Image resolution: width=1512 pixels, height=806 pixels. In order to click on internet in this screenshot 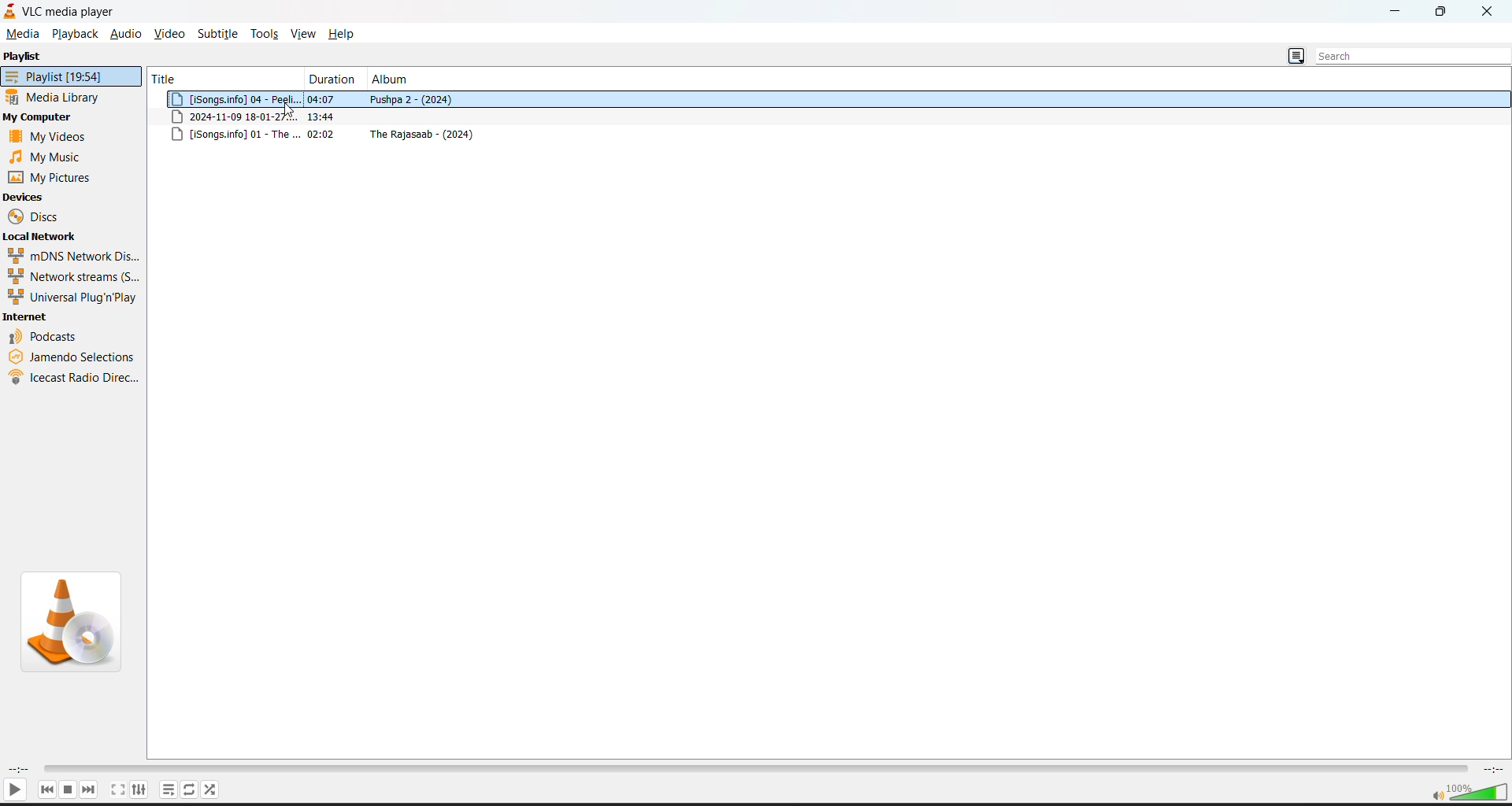, I will do `click(28, 317)`.